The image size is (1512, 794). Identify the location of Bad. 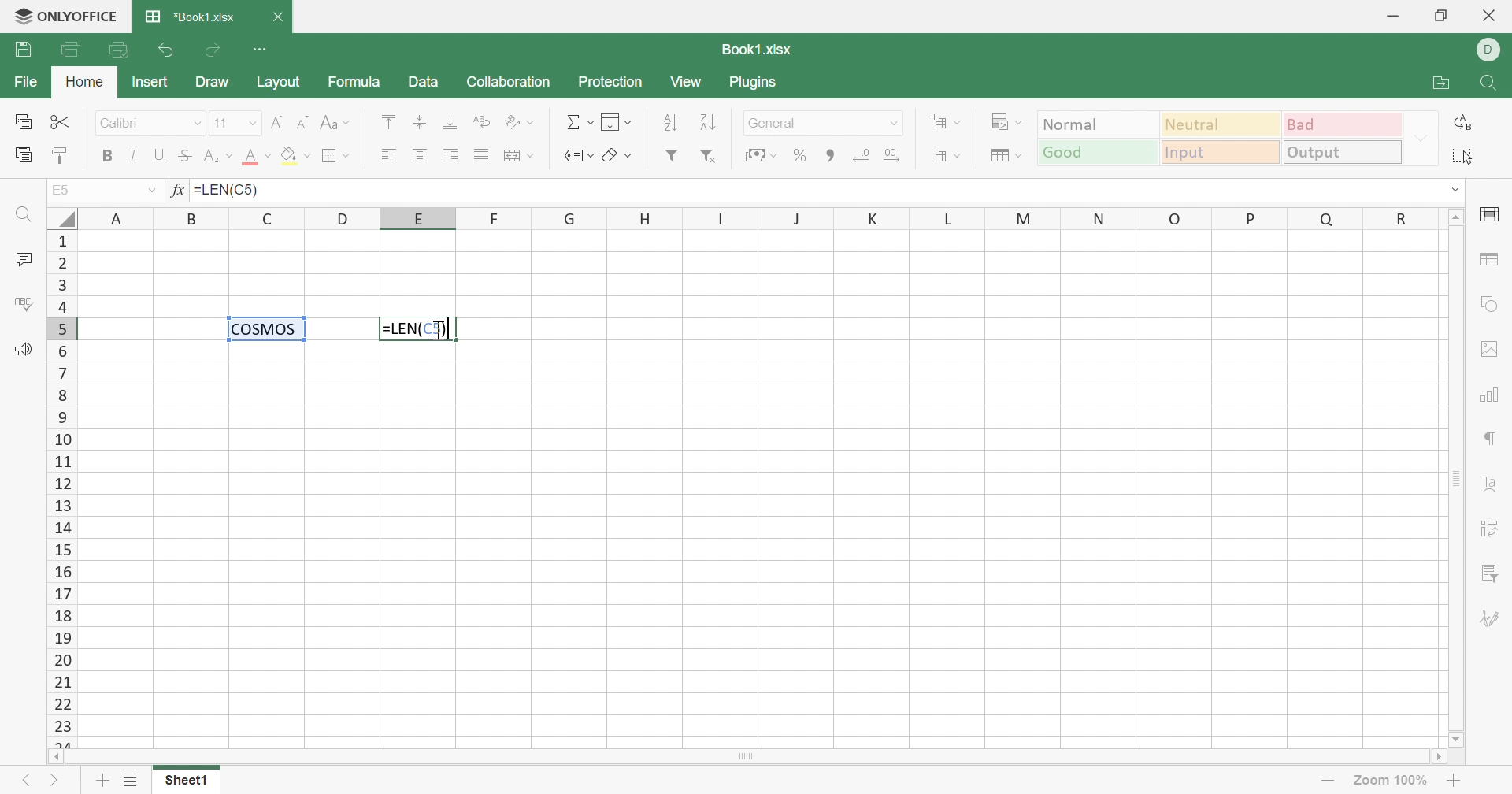
(1342, 124).